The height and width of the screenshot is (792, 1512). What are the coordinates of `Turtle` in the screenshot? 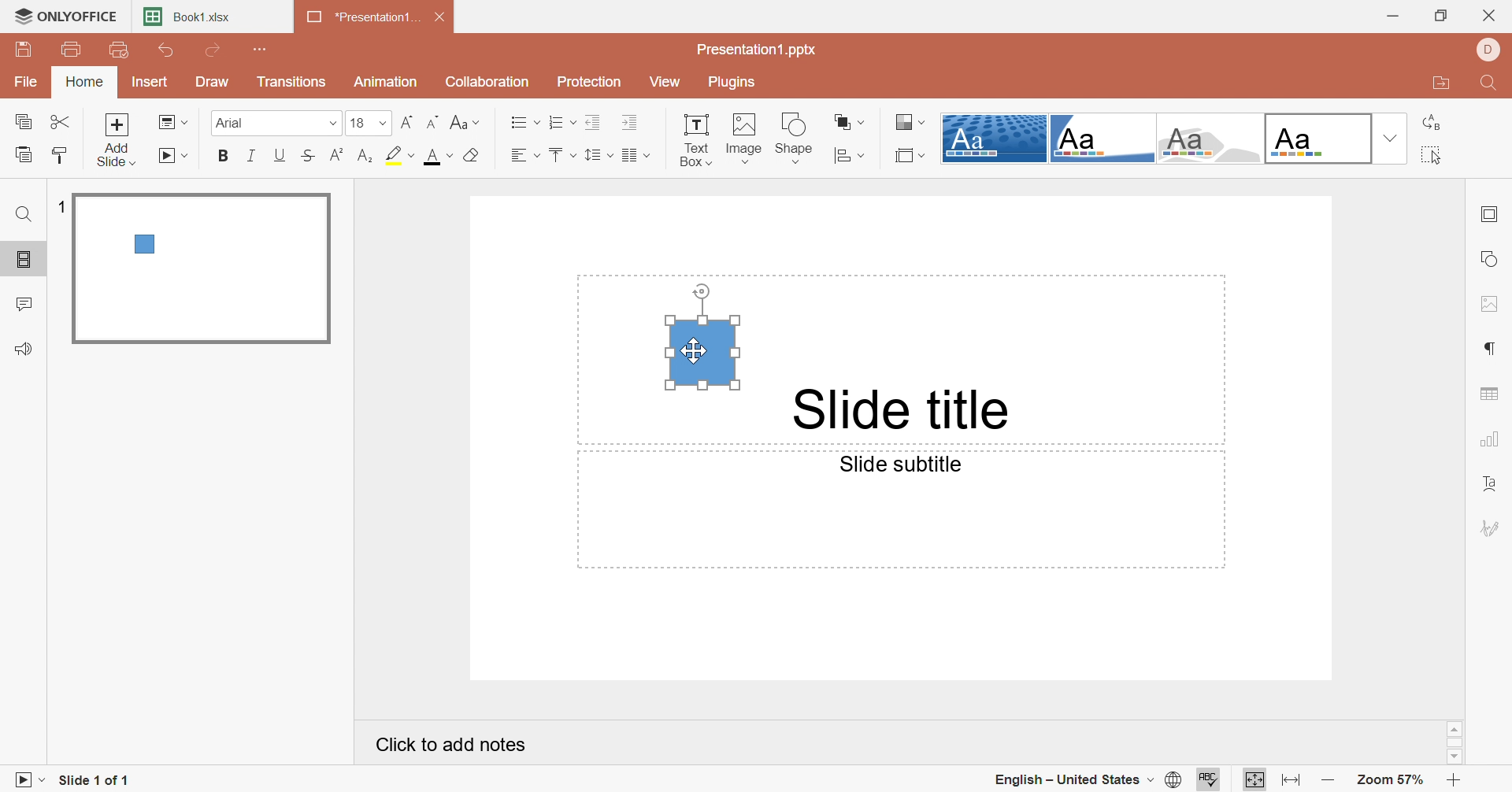 It's located at (1210, 139).